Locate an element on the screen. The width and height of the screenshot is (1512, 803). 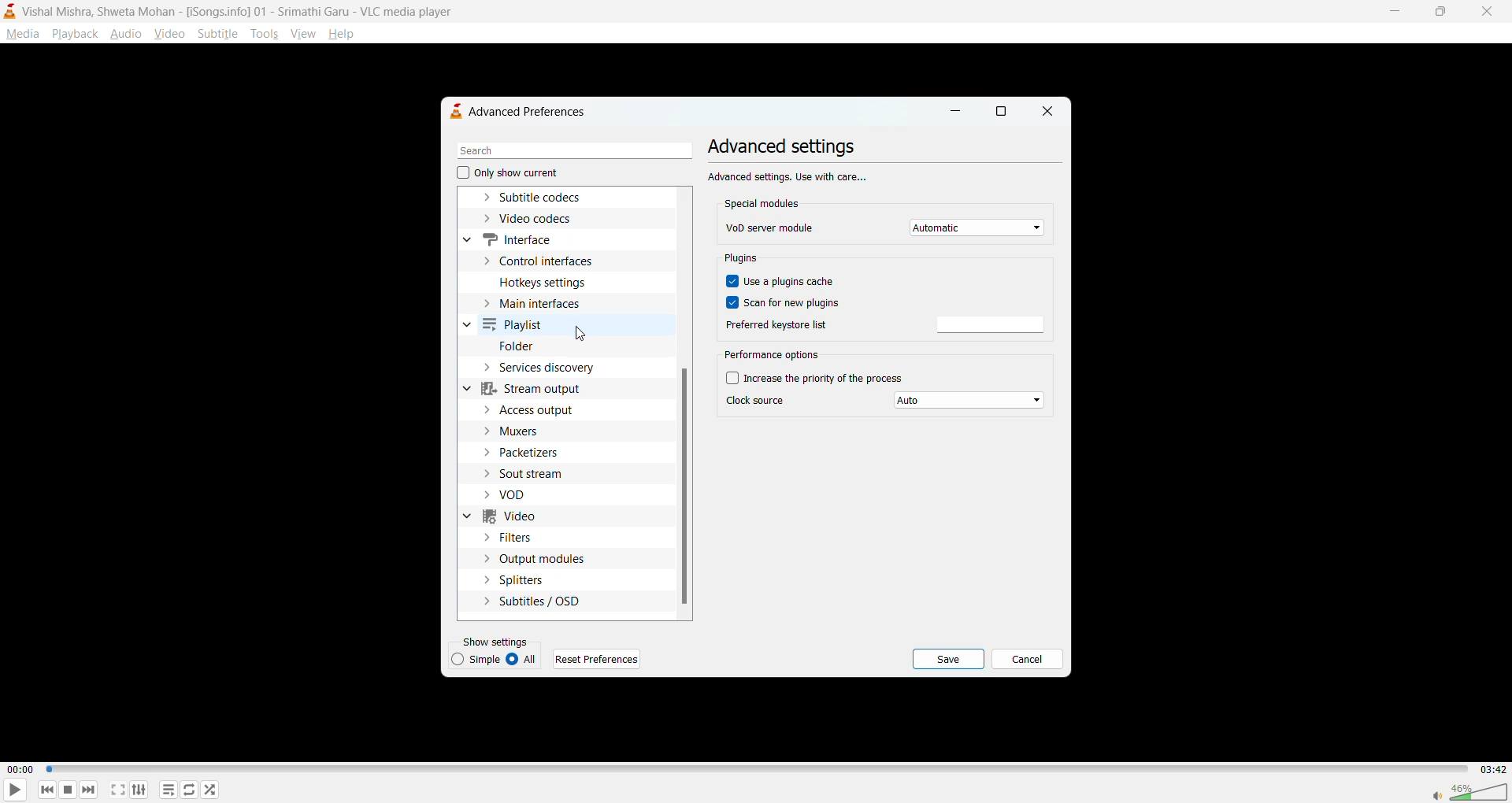
maximize is located at coordinates (1002, 113).